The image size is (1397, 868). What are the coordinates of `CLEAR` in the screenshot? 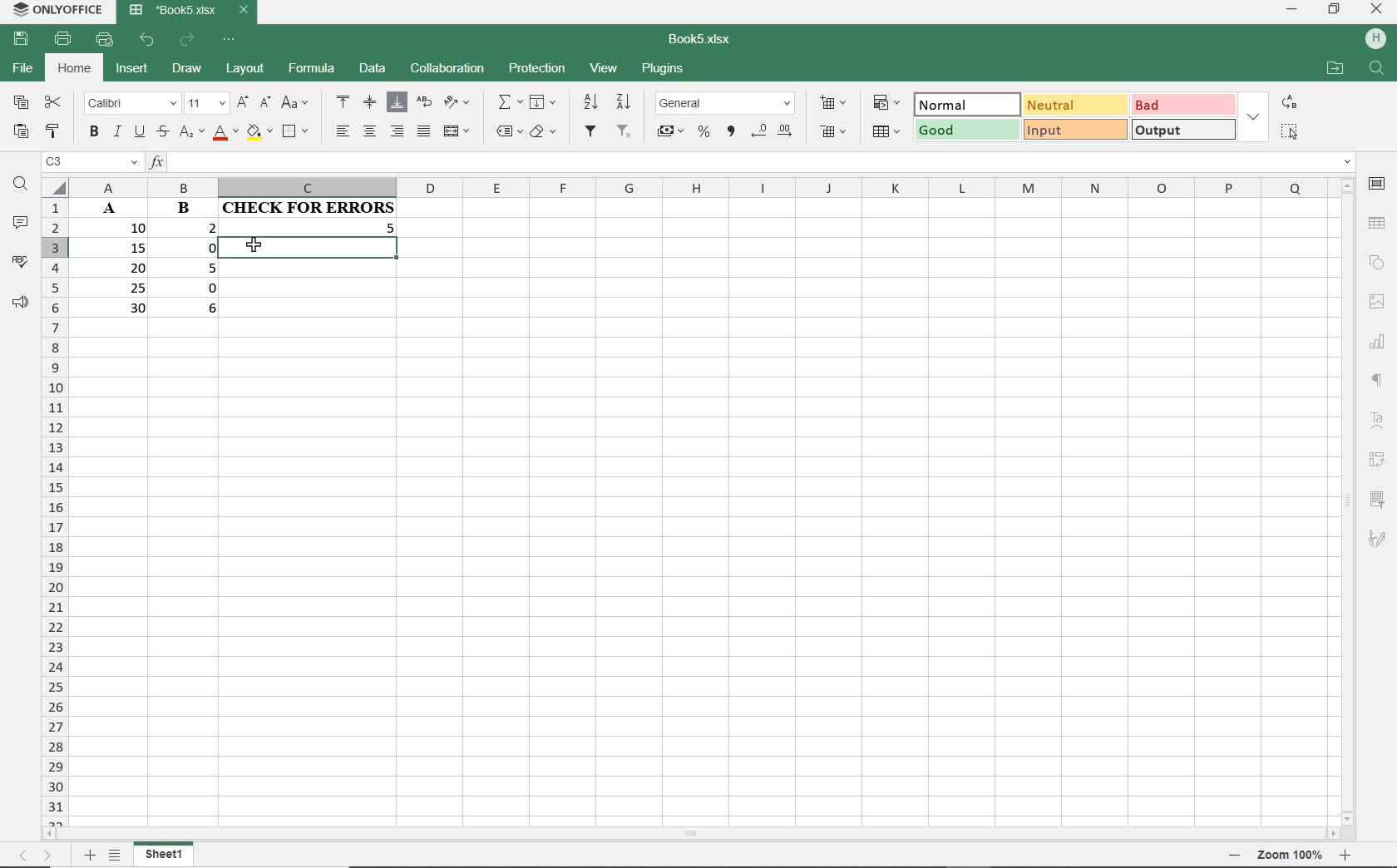 It's located at (545, 131).